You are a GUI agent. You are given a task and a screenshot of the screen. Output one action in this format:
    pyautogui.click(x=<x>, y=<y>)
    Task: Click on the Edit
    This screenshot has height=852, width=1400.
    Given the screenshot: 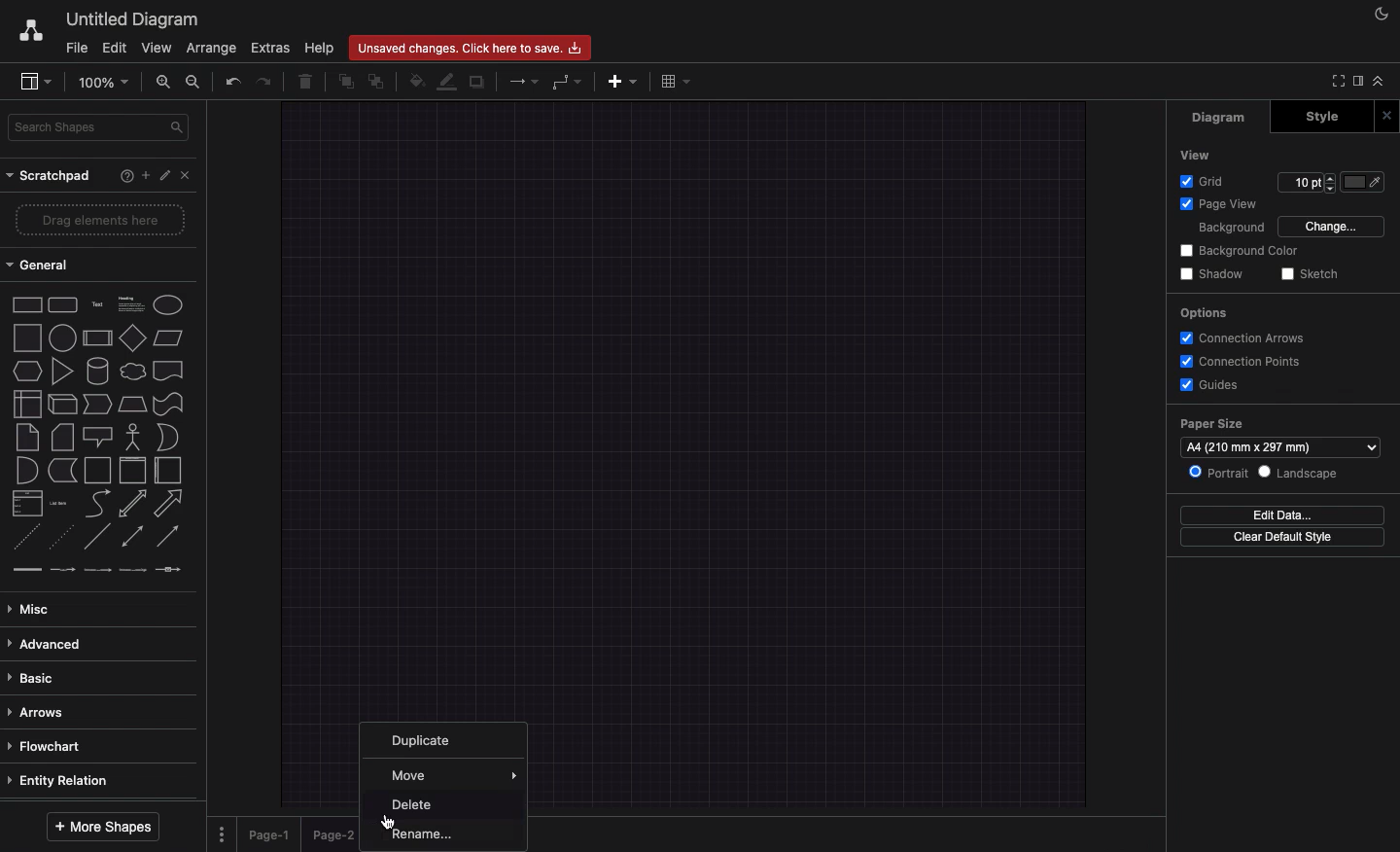 What is the action you would take?
    pyautogui.click(x=166, y=174)
    